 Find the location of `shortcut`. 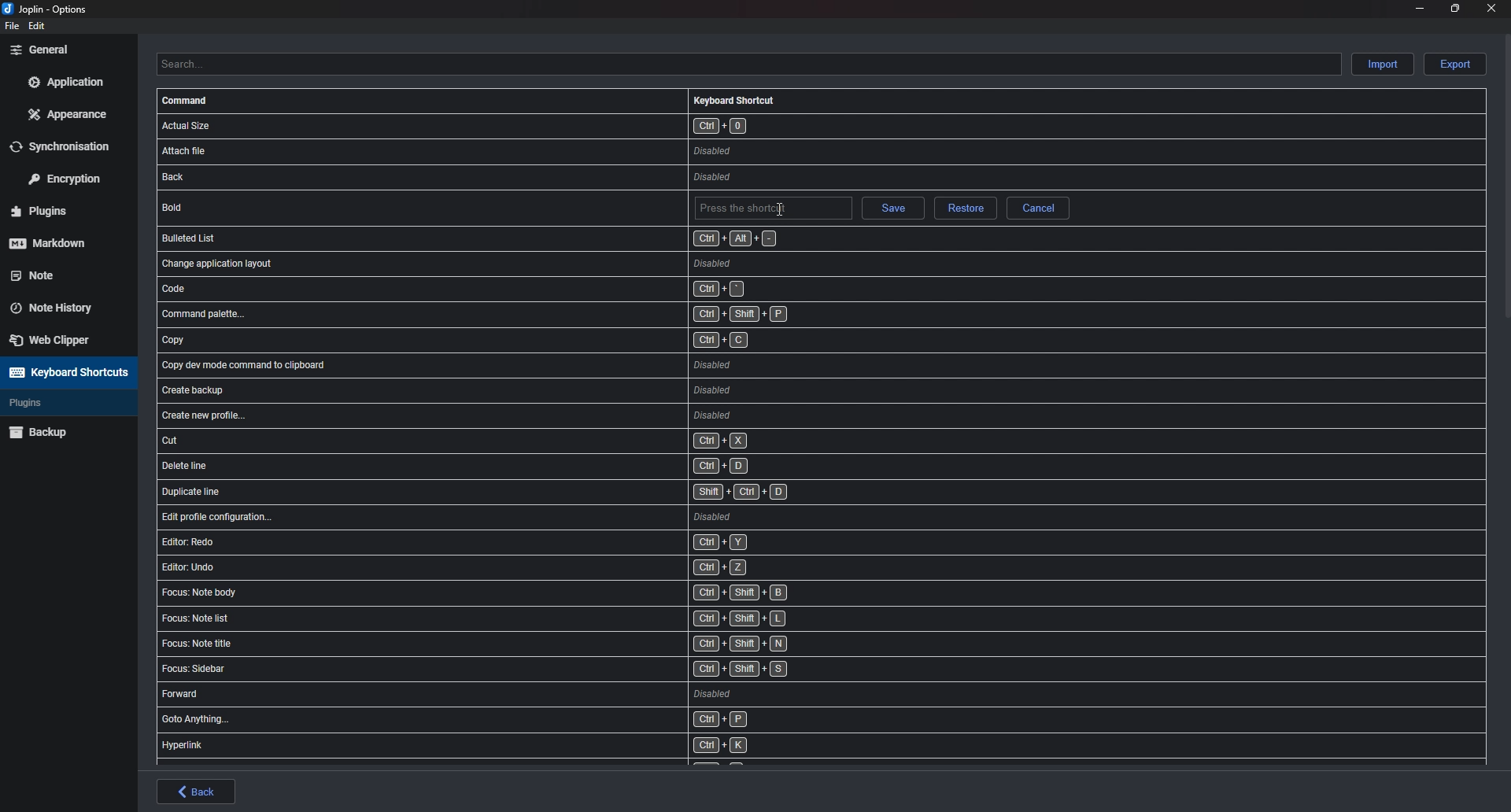

shortcut is located at coordinates (532, 125).